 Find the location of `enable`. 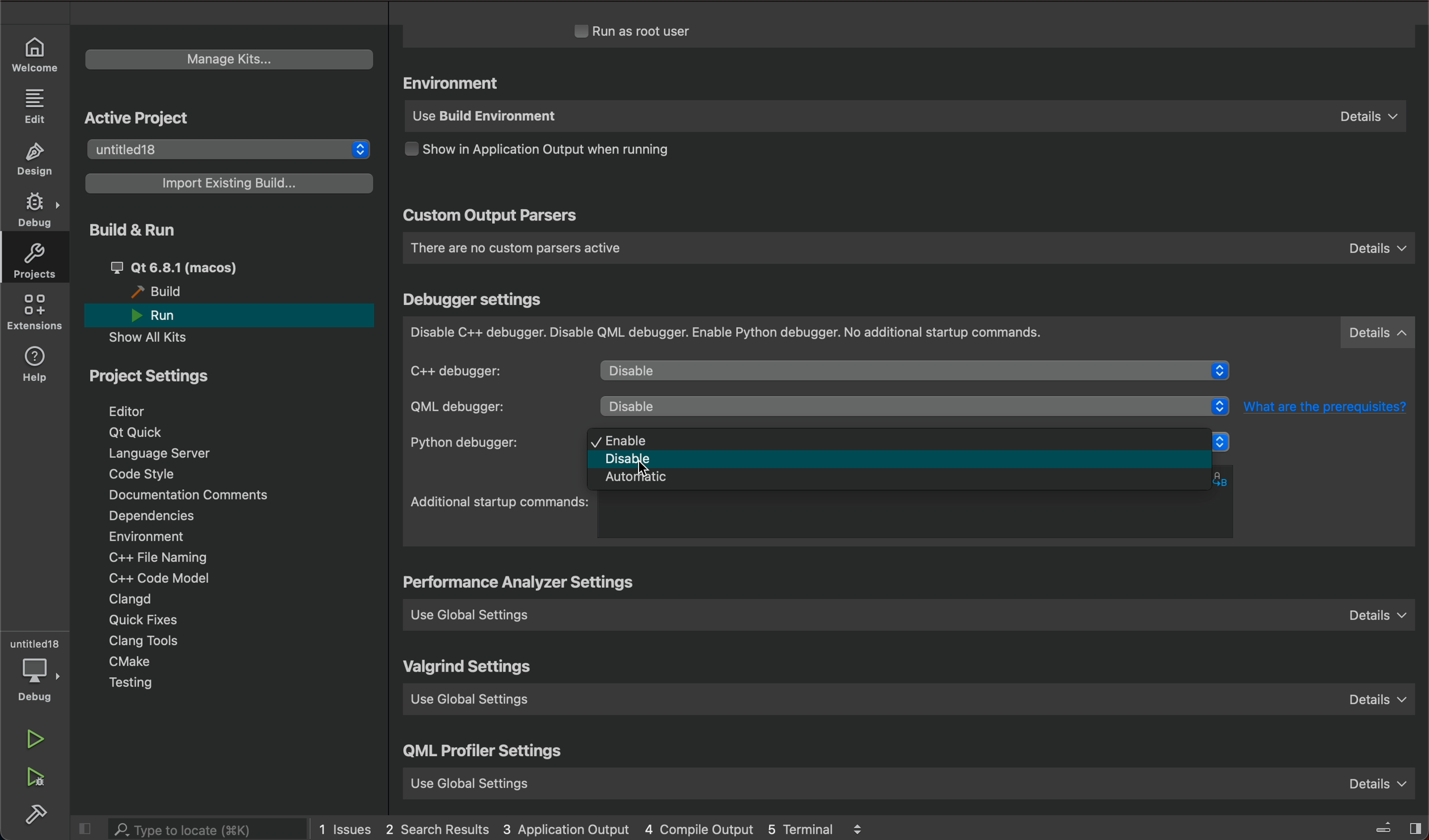

enable is located at coordinates (905, 440).